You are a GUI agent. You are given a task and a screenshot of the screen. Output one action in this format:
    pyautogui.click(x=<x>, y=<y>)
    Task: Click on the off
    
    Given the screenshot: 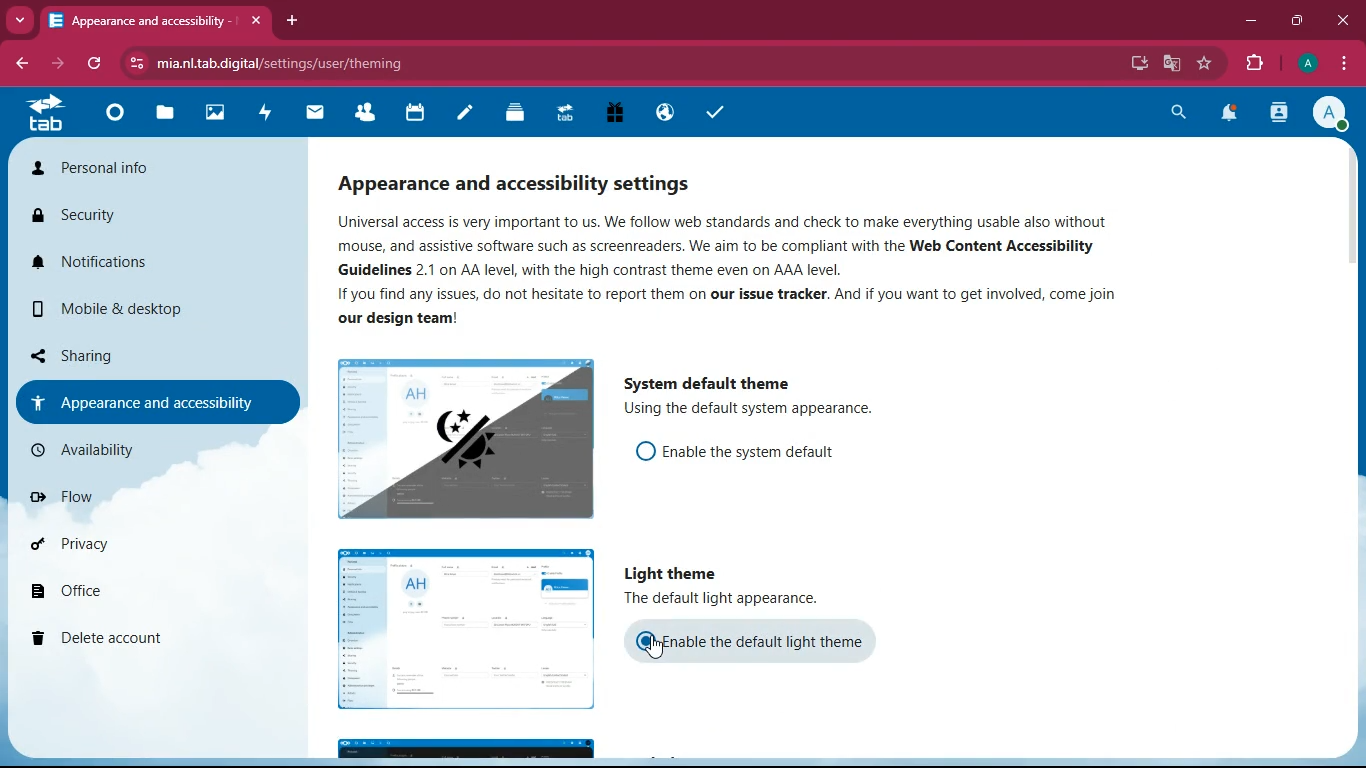 What is the action you would take?
    pyautogui.click(x=643, y=451)
    